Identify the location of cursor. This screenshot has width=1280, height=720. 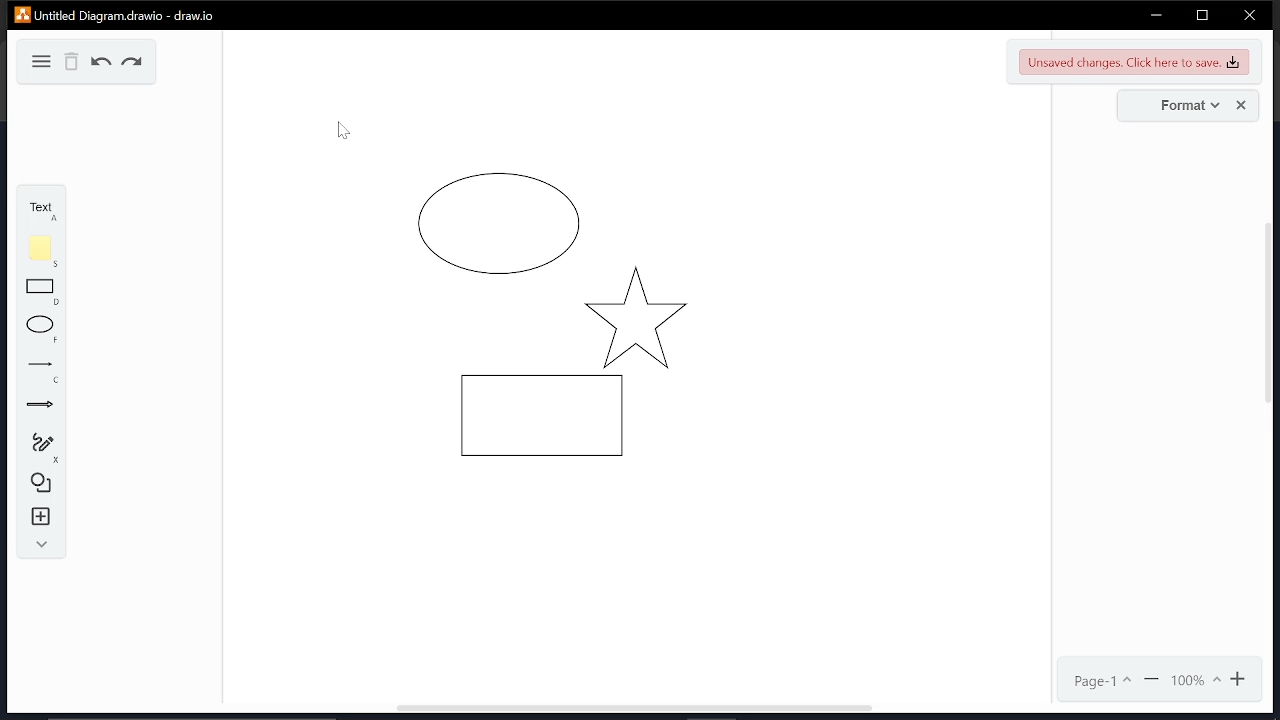
(338, 132).